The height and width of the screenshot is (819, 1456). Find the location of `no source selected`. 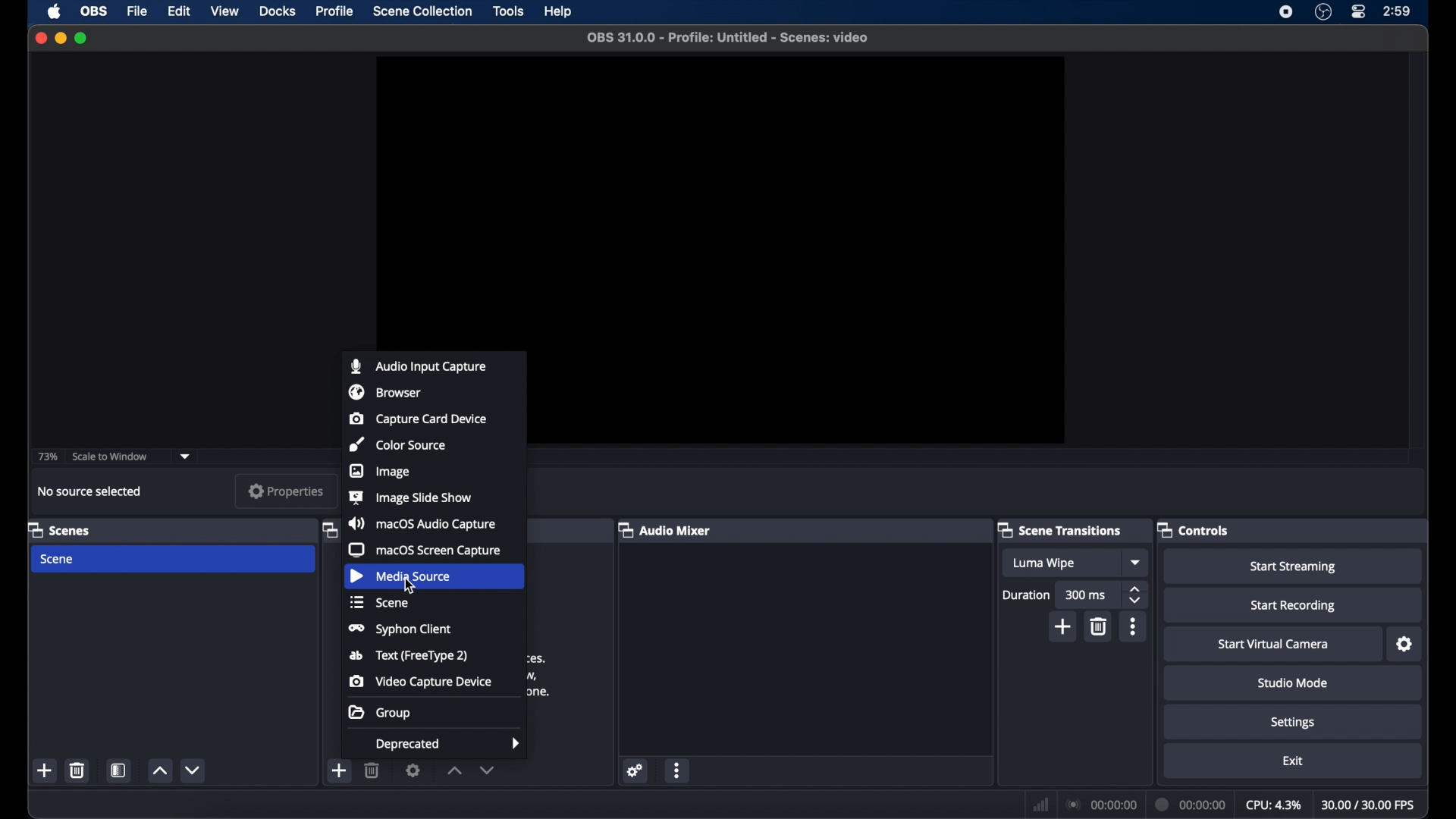

no source selected is located at coordinates (93, 491).